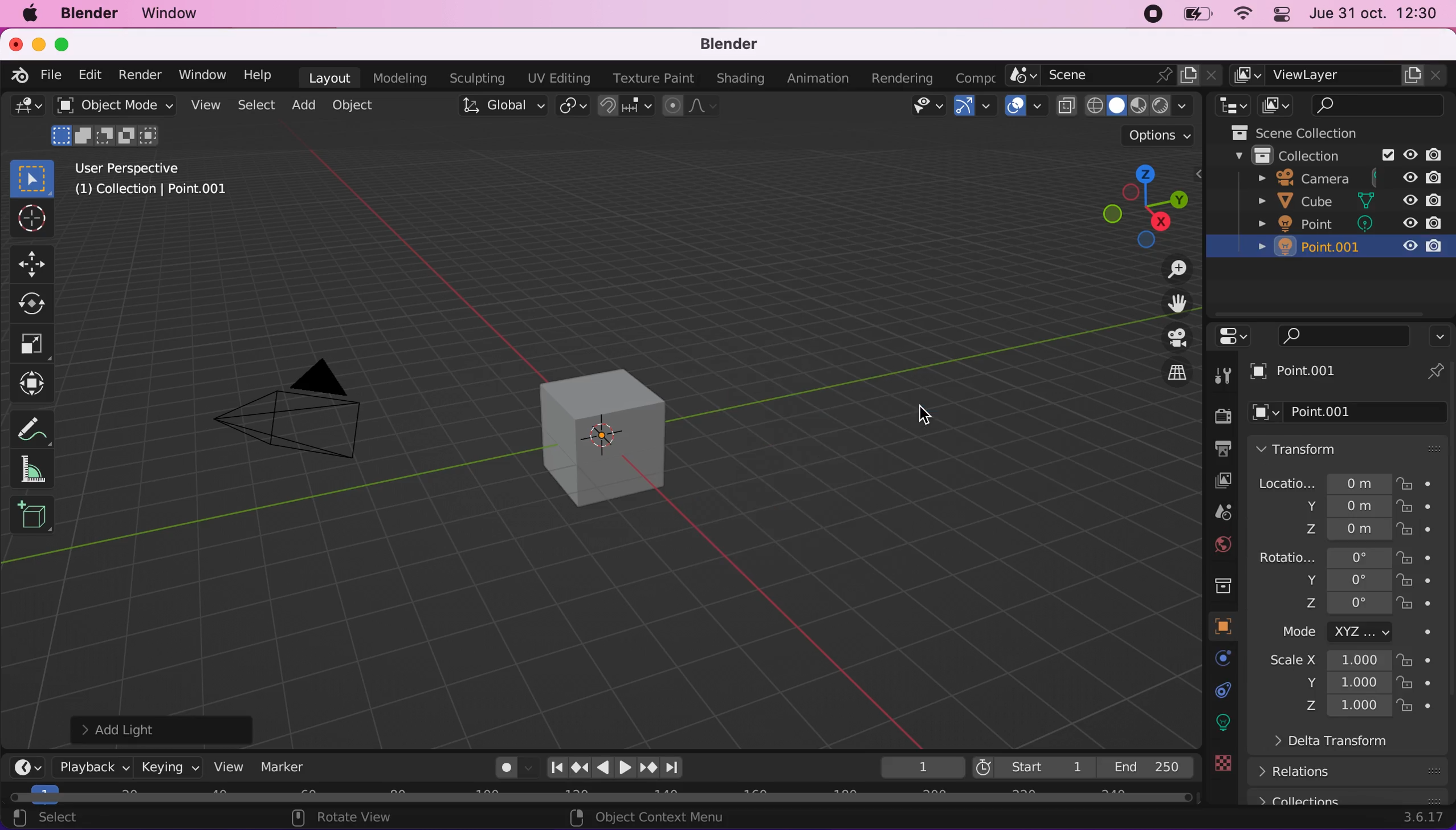  Describe the element at coordinates (1413, 177) in the screenshot. I see `hide in viewpoint` at that location.